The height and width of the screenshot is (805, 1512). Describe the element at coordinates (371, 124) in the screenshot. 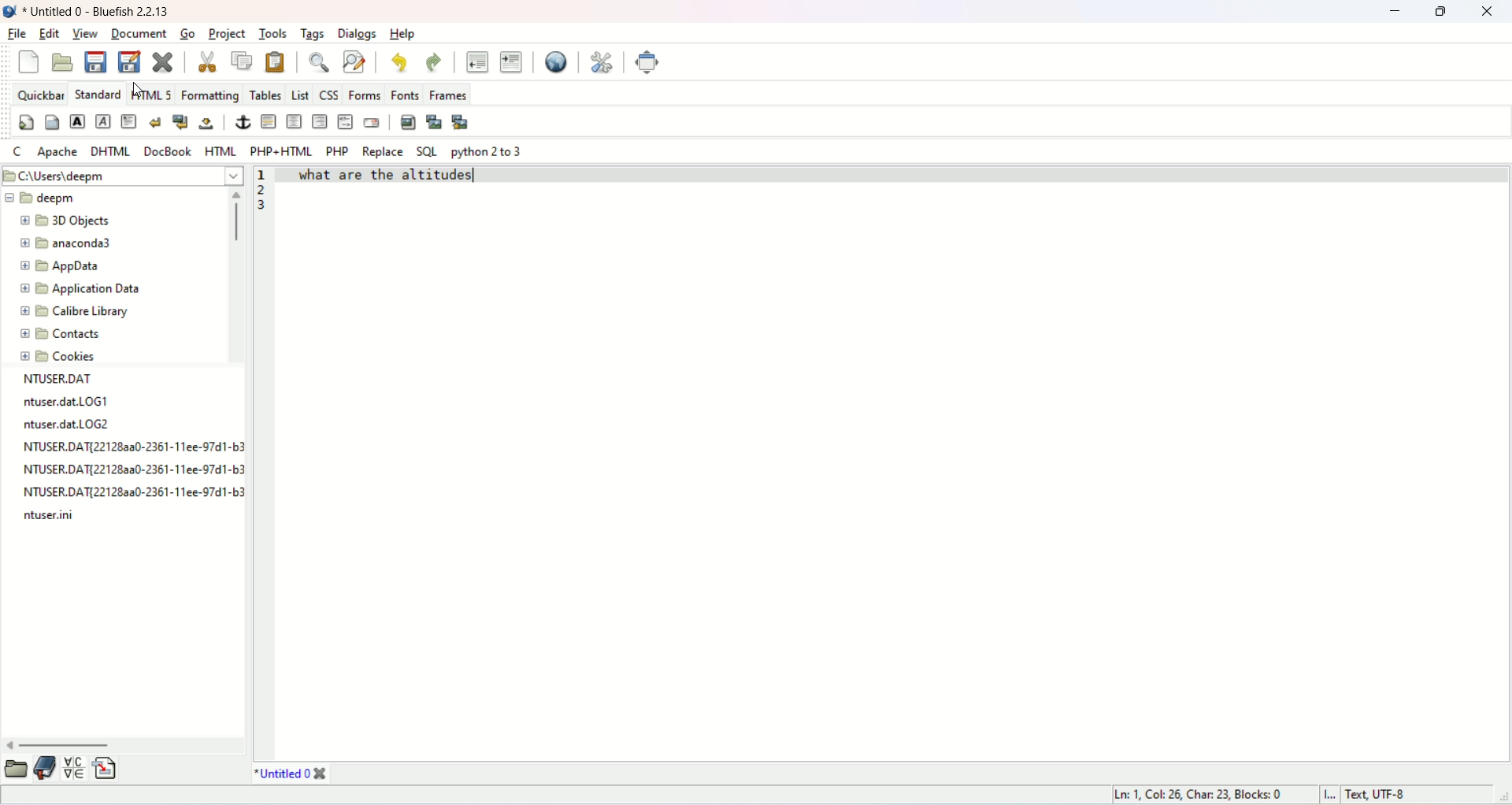

I see `email` at that location.